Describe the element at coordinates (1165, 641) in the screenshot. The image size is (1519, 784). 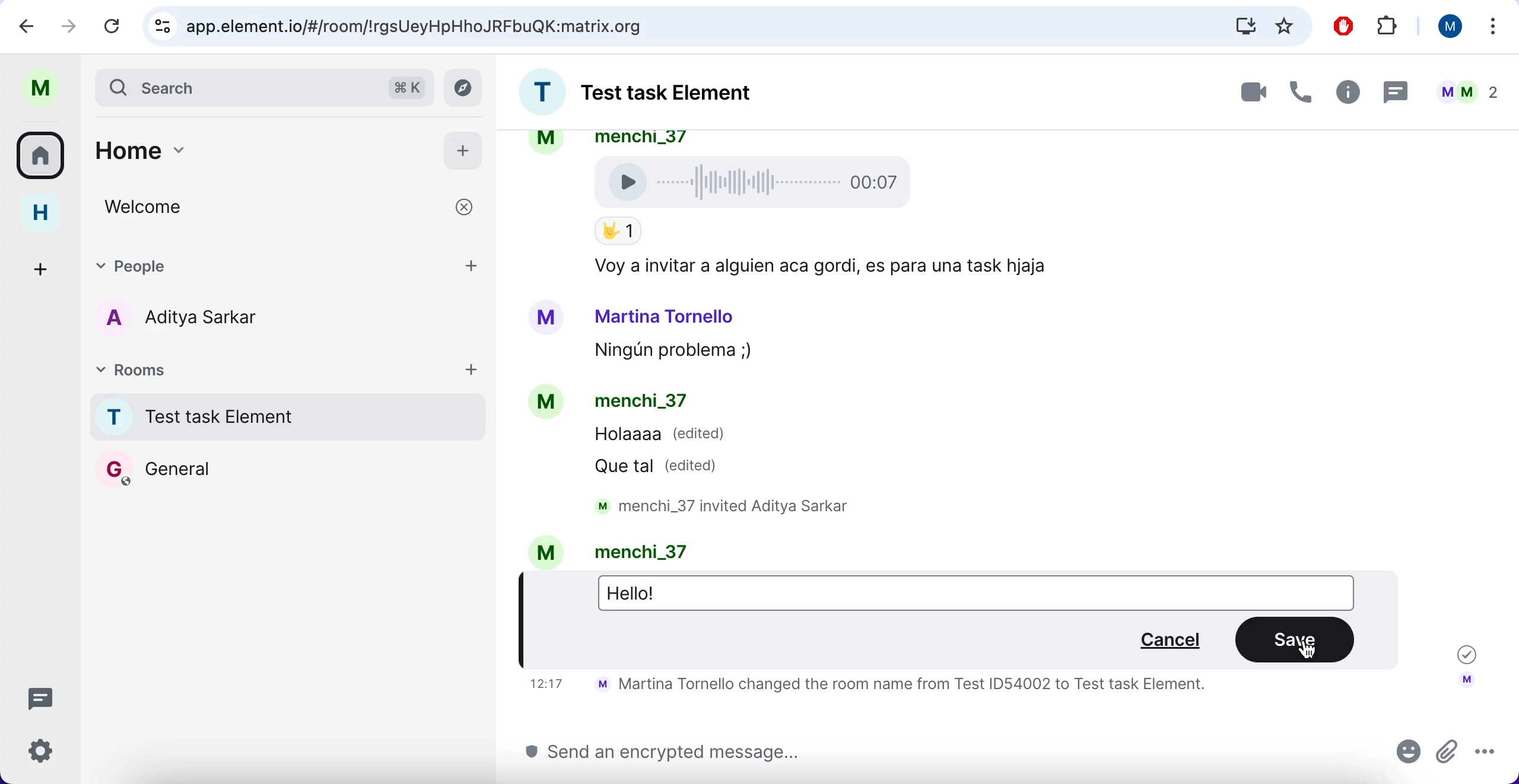
I see `cancel` at that location.